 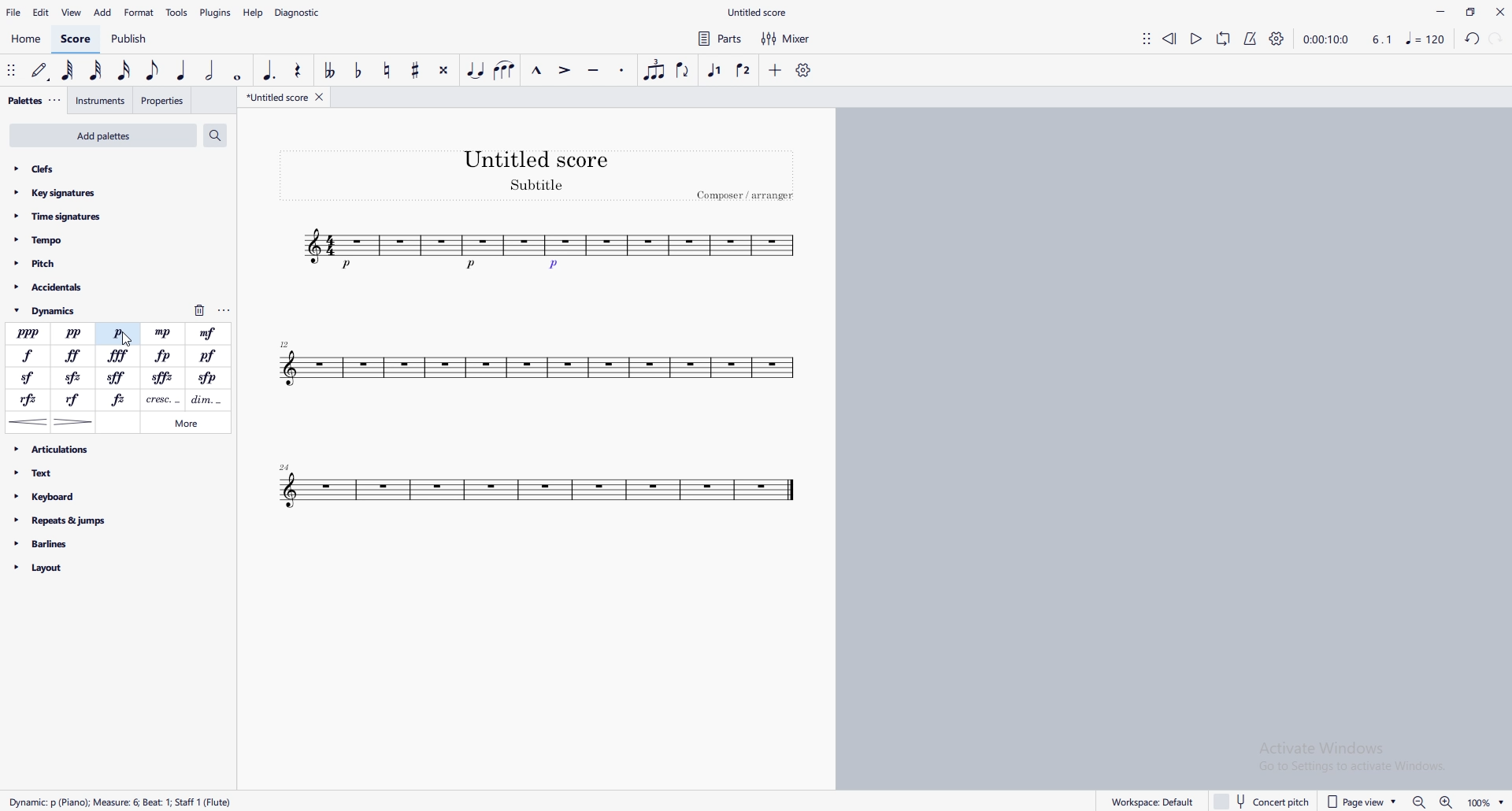 What do you see at coordinates (1471, 11) in the screenshot?
I see `maximize` at bounding box center [1471, 11].